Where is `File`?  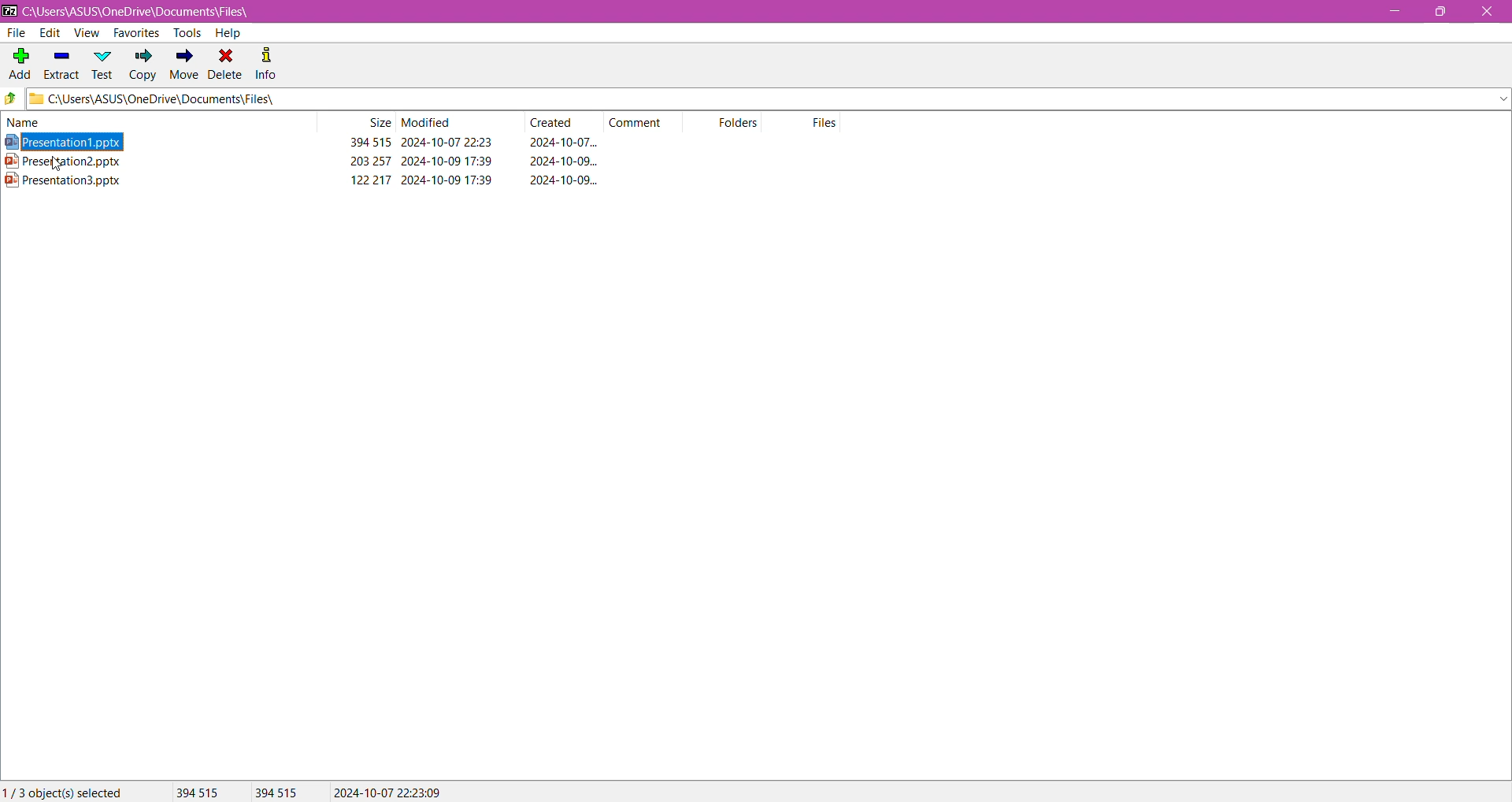 File is located at coordinates (18, 33).